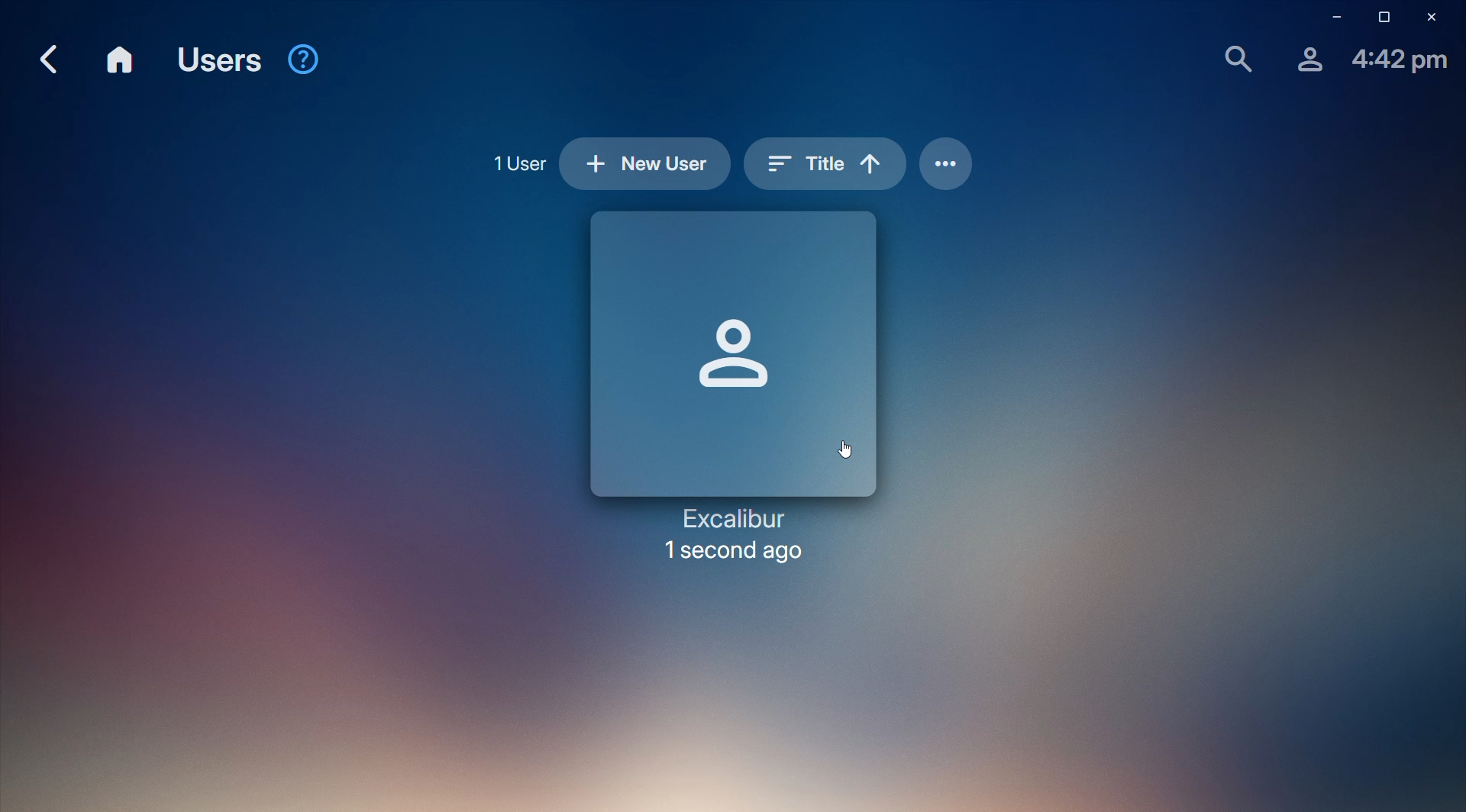  I want to click on Find, so click(1235, 57).